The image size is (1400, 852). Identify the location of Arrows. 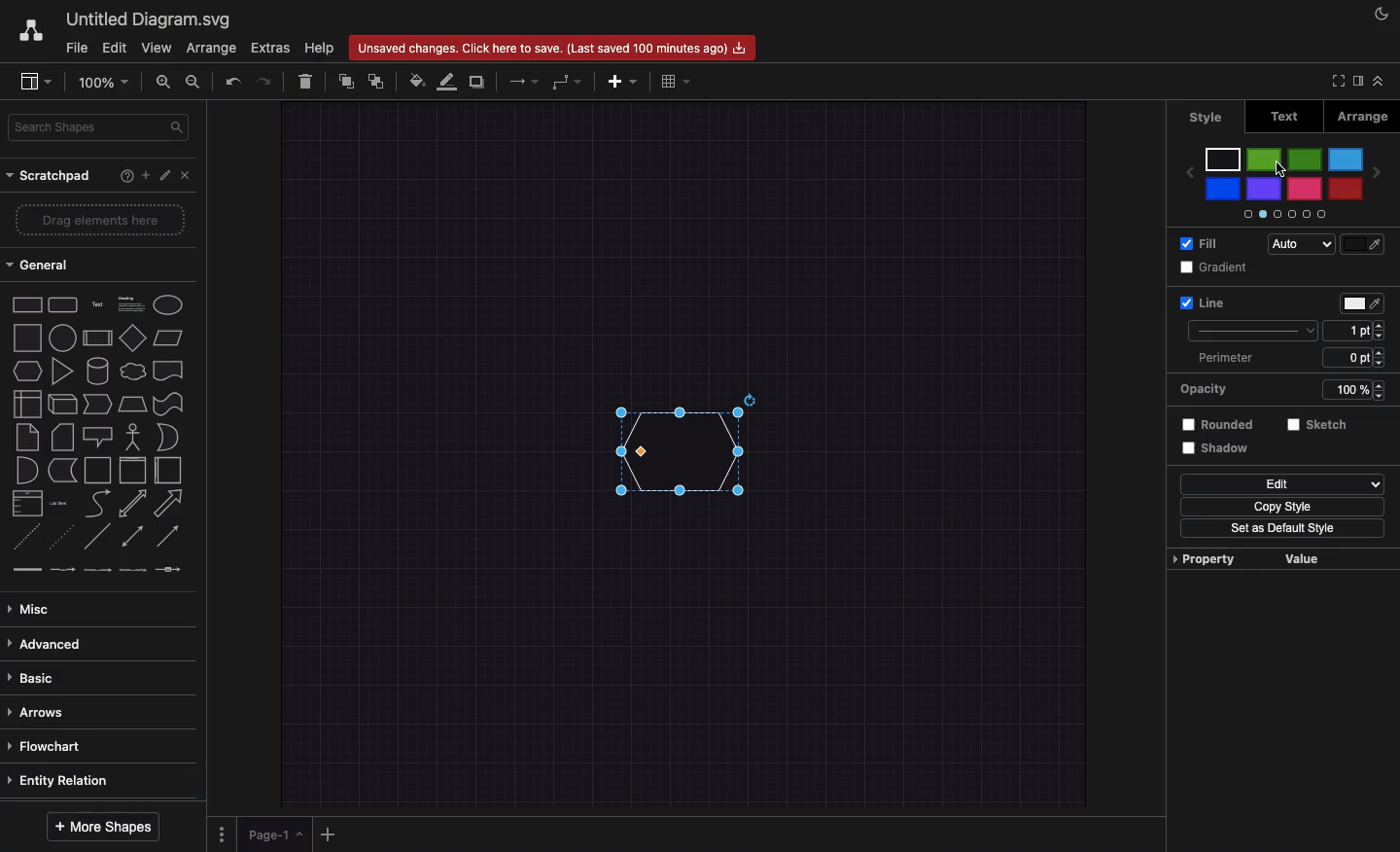
(523, 81).